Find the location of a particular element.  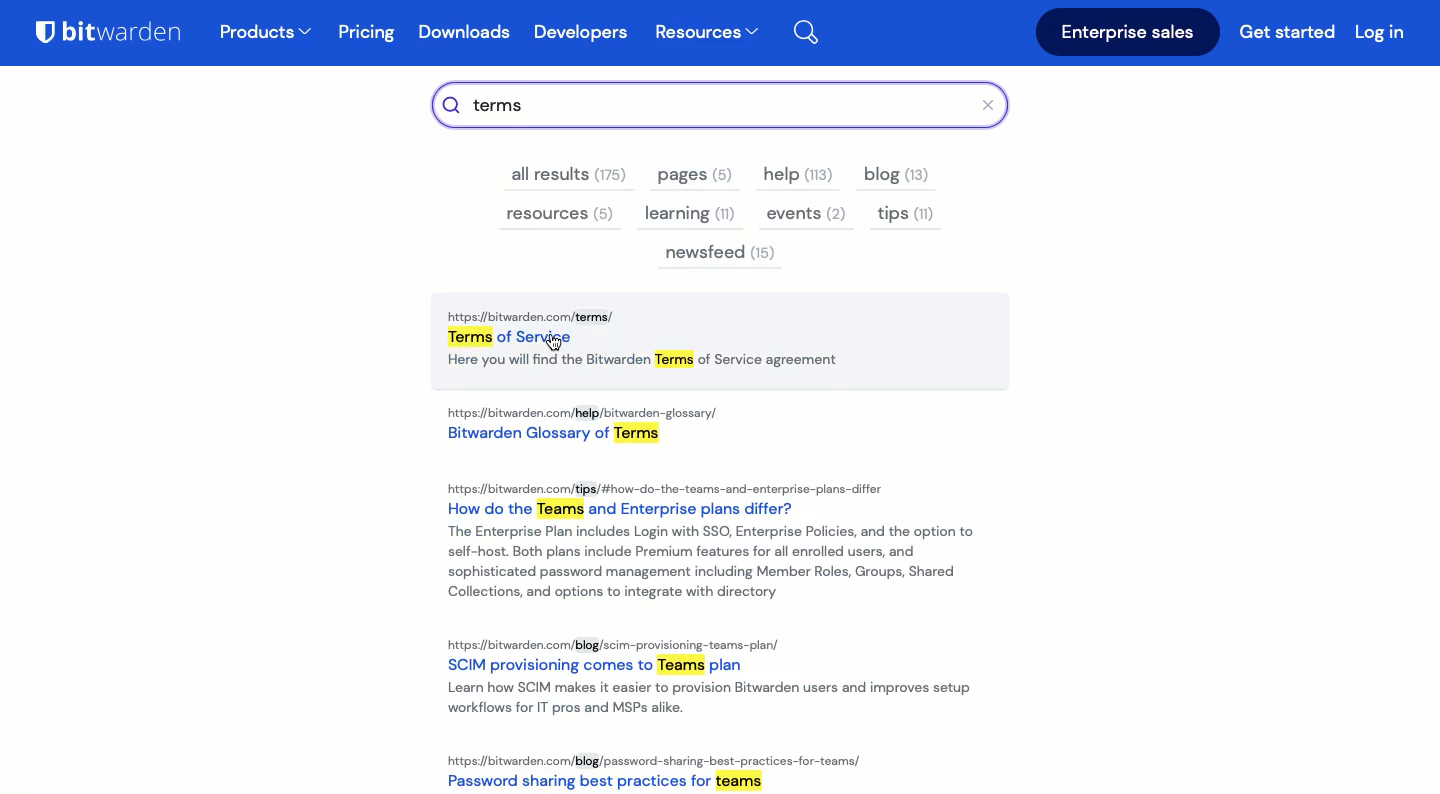

Cursor is located at coordinates (551, 344).